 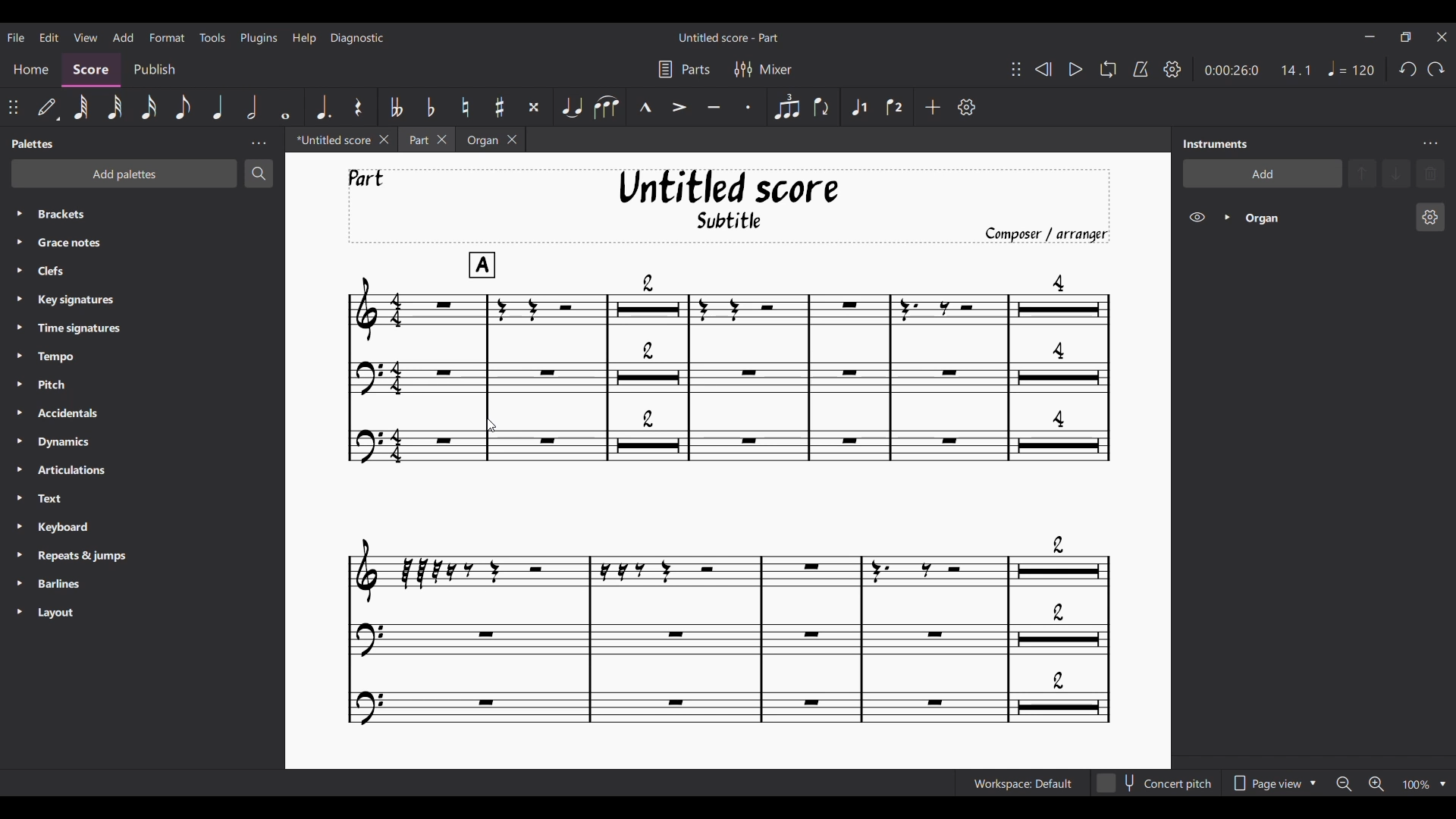 I want to click on Organ tab, so click(x=480, y=140).